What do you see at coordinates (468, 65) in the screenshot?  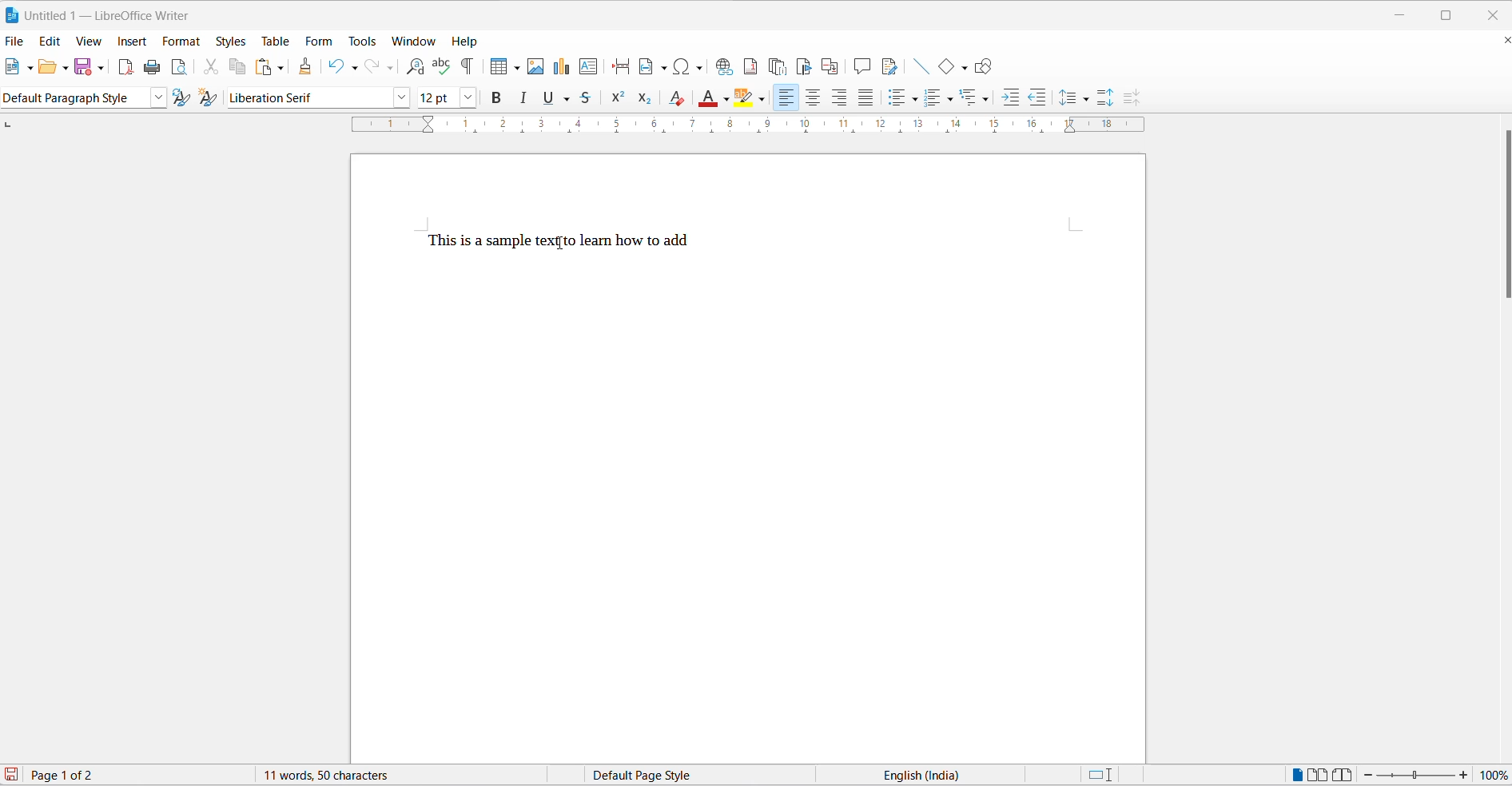 I see `toggle formatting marks` at bounding box center [468, 65].